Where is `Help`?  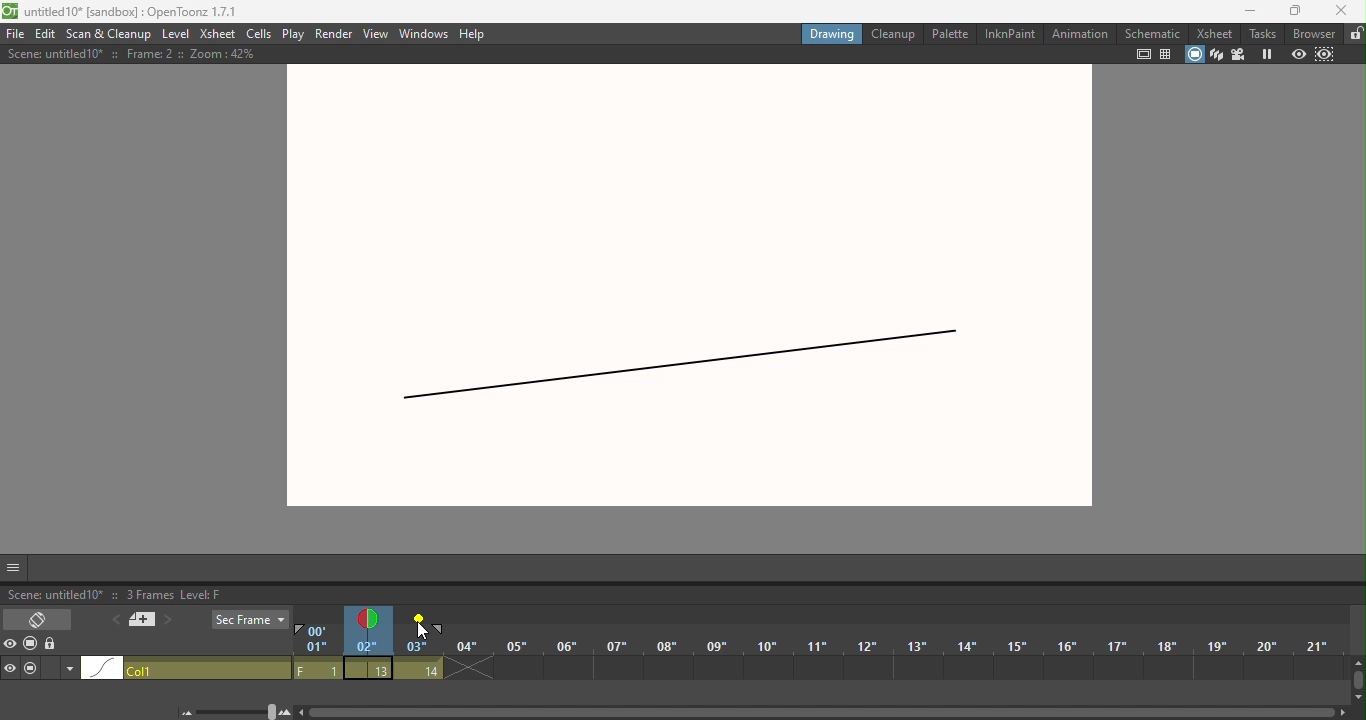 Help is located at coordinates (480, 31).